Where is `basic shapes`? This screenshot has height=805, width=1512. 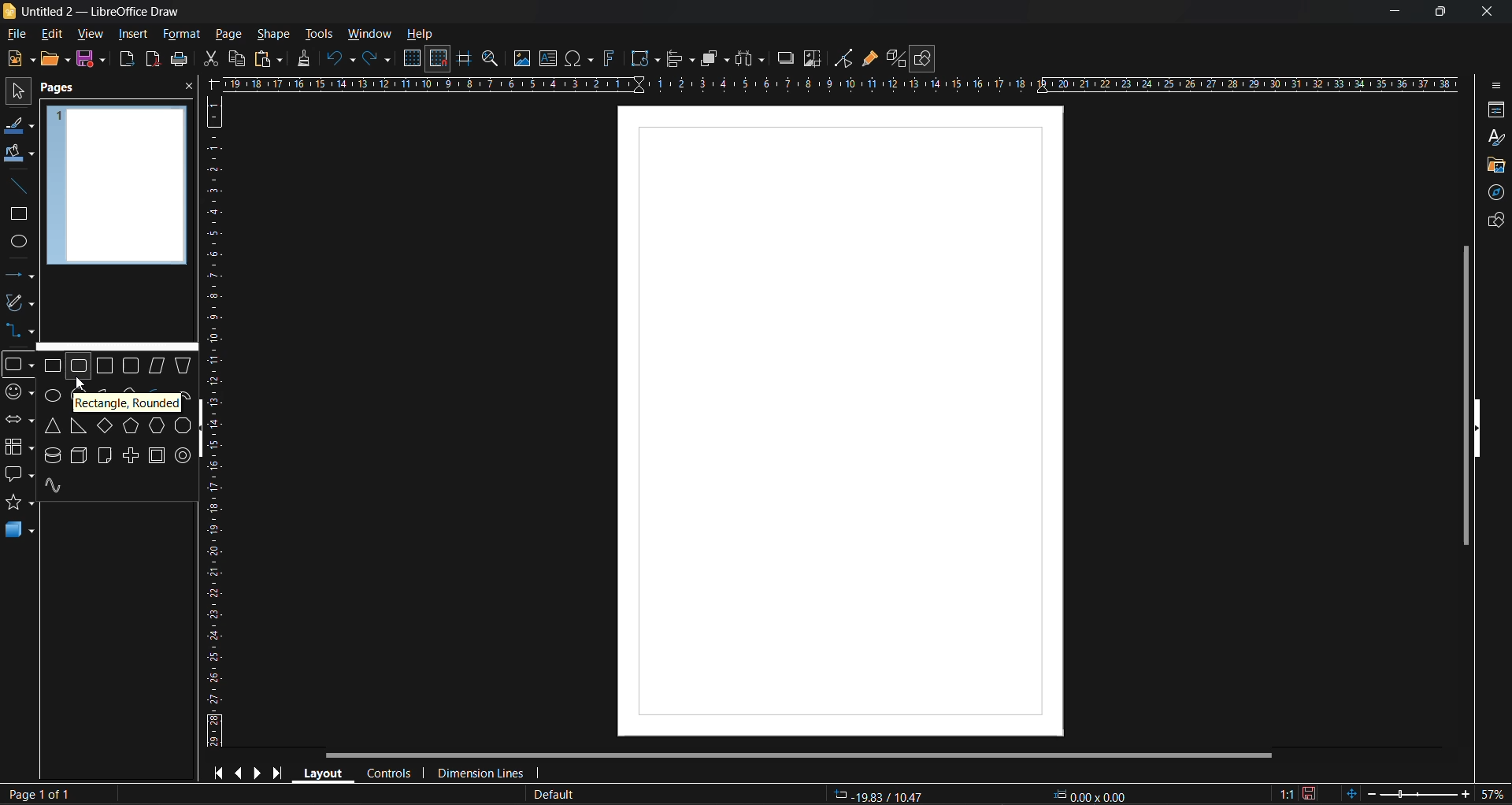 basic shapes is located at coordinates (18, 365).